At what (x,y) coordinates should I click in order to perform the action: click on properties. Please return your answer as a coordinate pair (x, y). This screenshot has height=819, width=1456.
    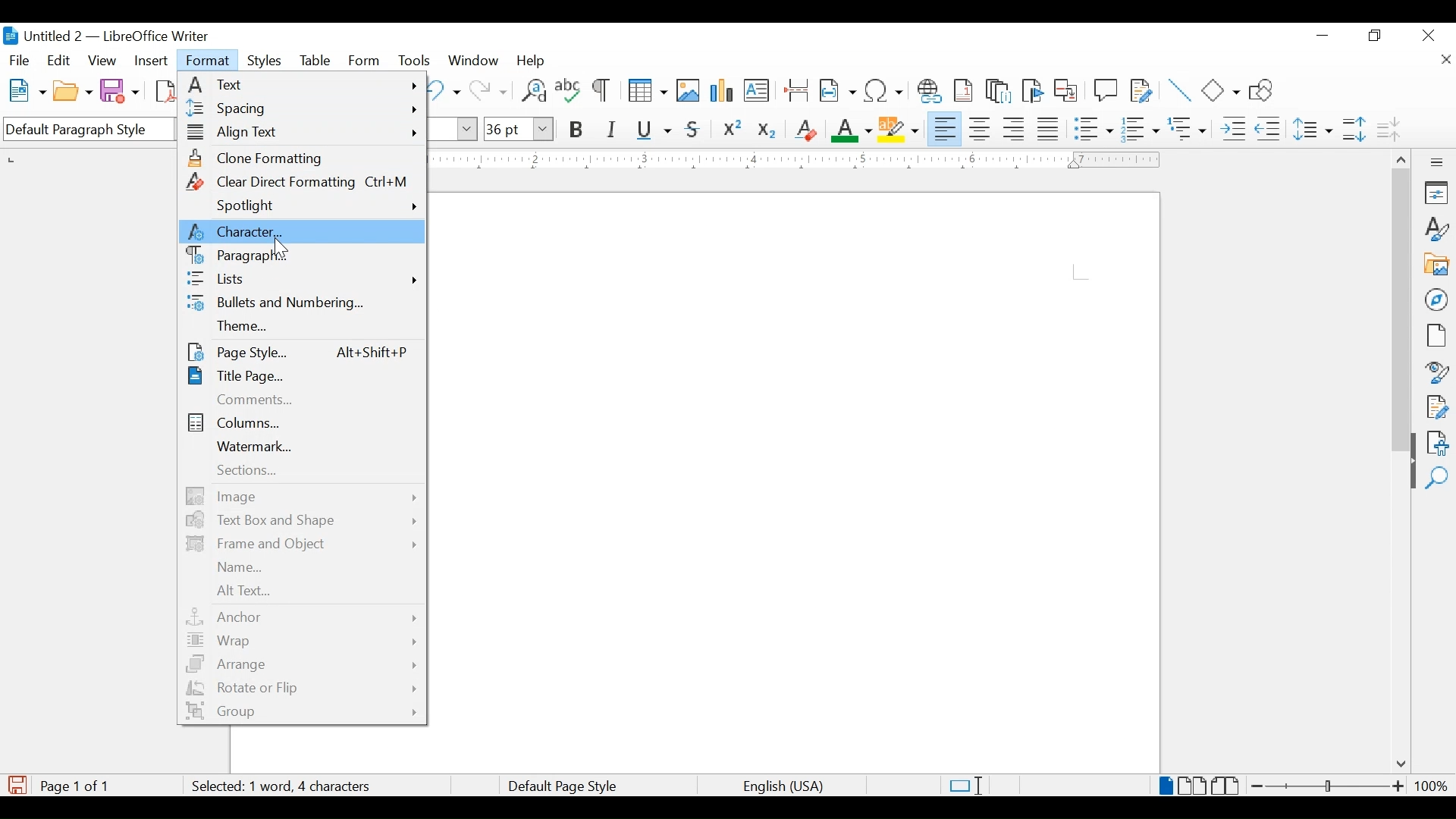
    Looking at the image, I should click on (1438, 193).